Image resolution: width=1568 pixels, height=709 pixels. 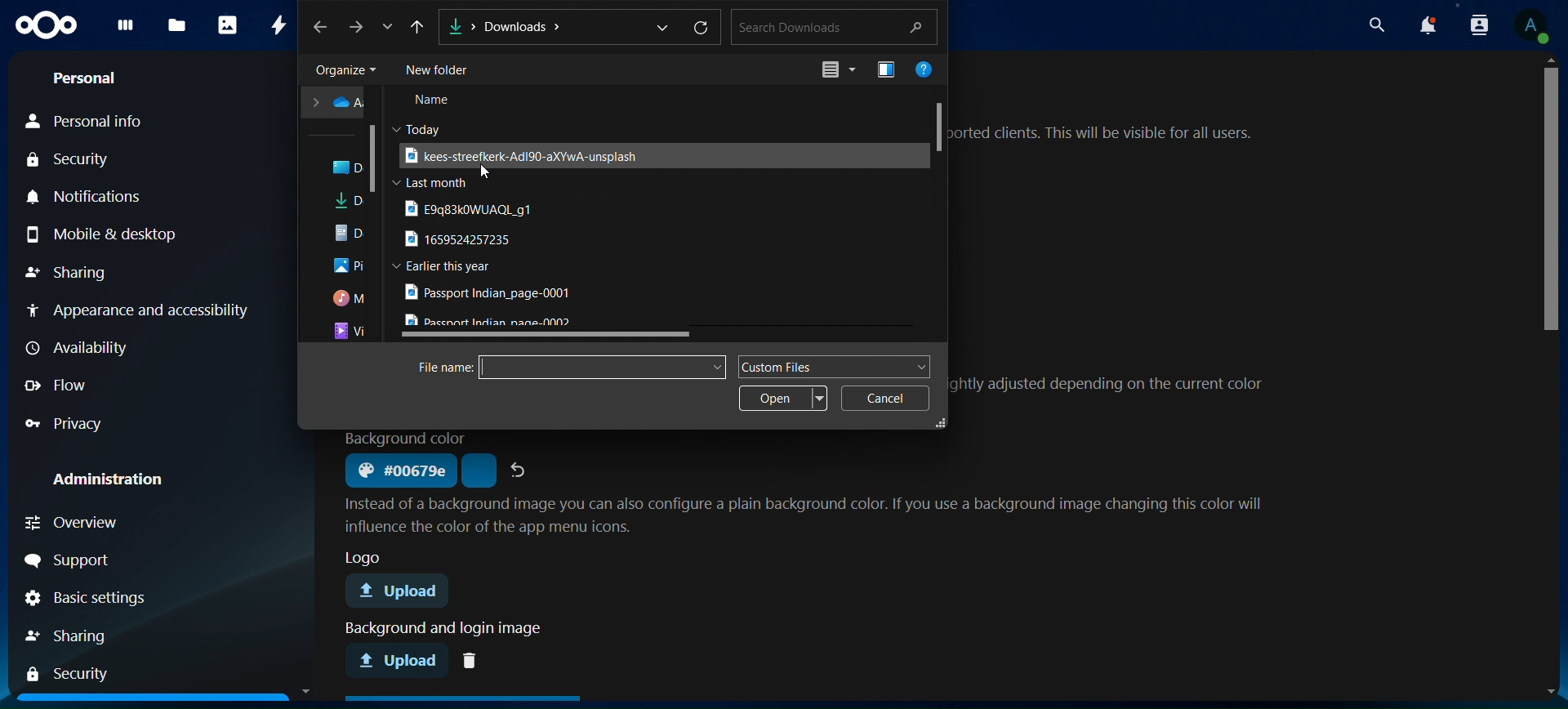 I want to click on scroll bar, so click(x=374, y=158).